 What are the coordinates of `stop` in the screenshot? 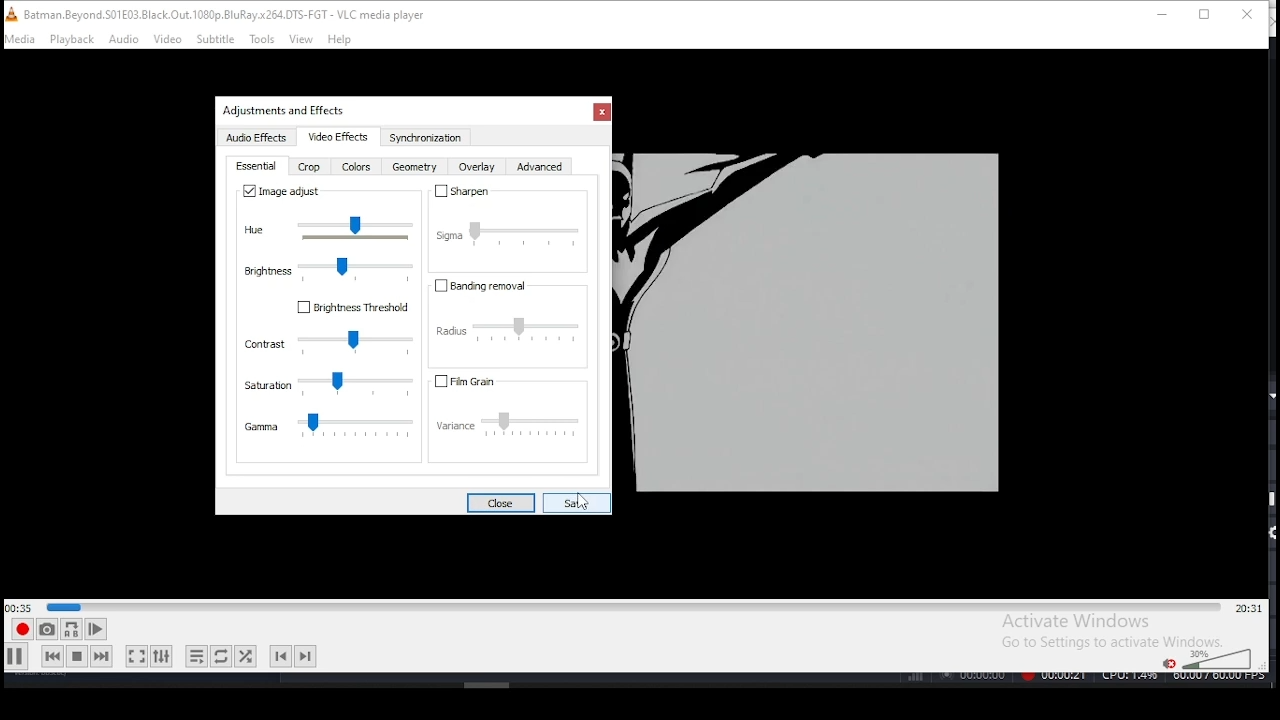 It's located at (76, 656).